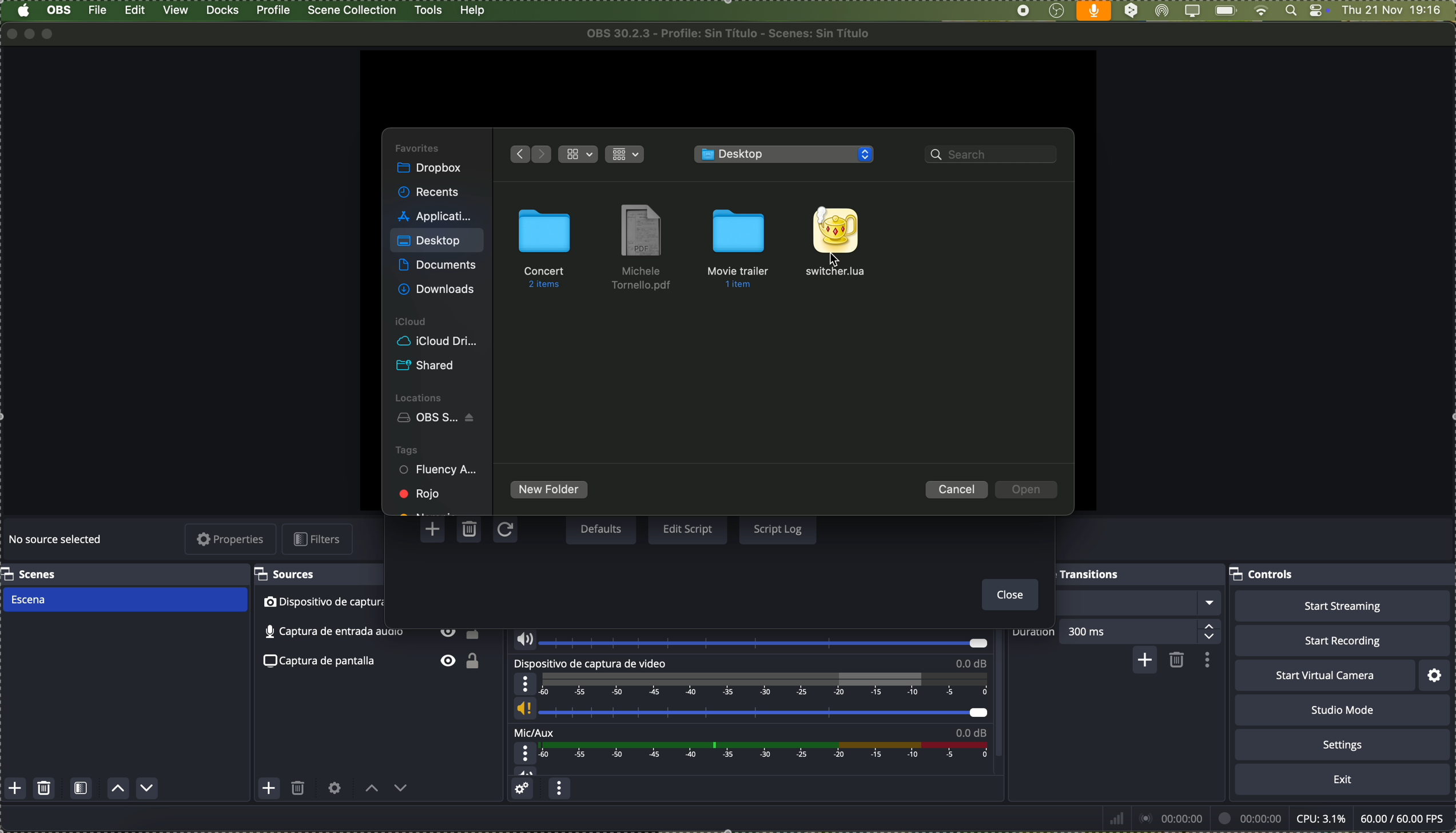 Image resolution: width=1456 pixels, height=833 pixels. Describe the element at coordinates (545, 248) in the screenshot. I see `concert folder` at that location.